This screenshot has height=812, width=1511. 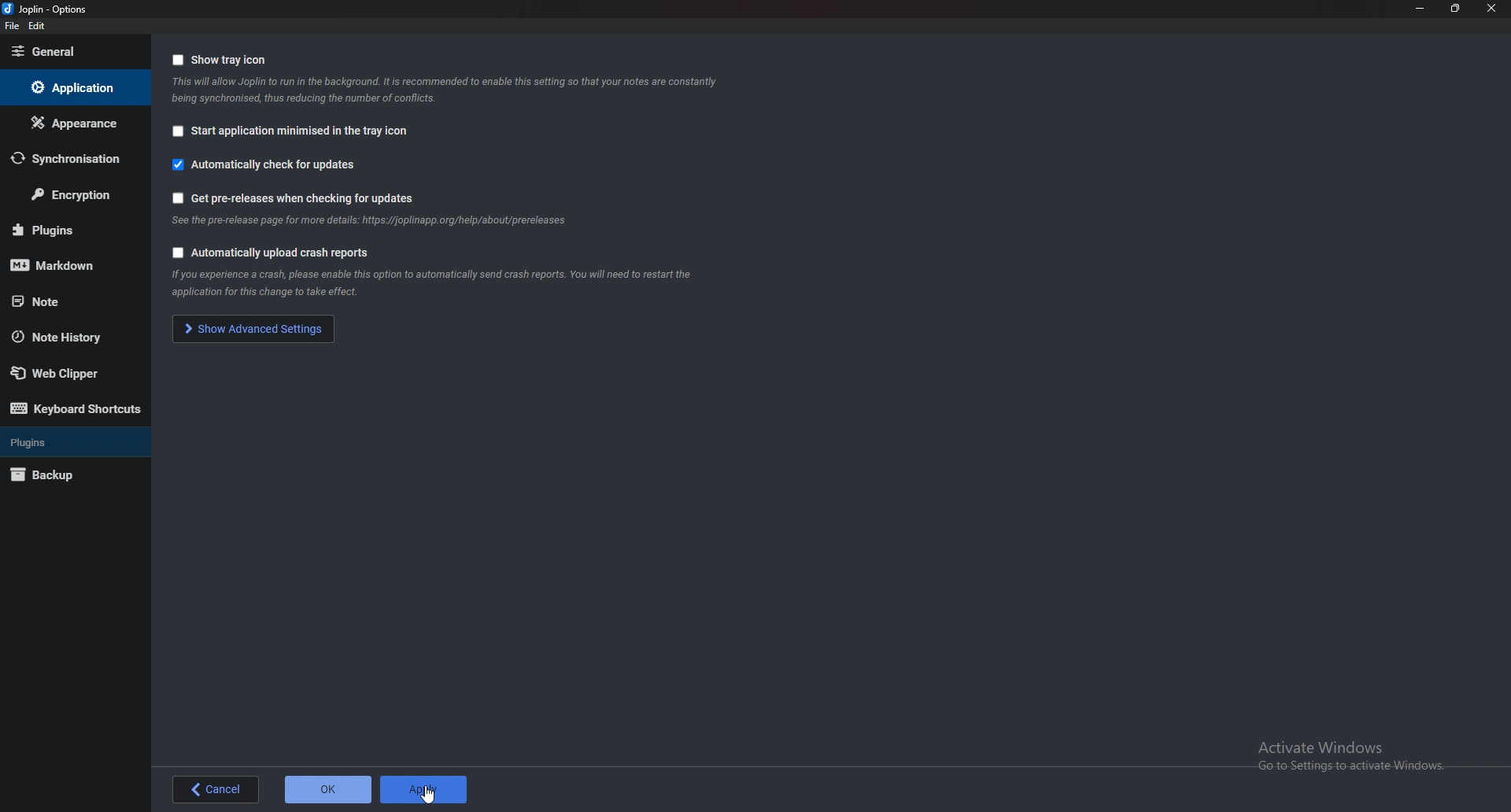 I want to click on Checkbox , so click(x=177, y=197).